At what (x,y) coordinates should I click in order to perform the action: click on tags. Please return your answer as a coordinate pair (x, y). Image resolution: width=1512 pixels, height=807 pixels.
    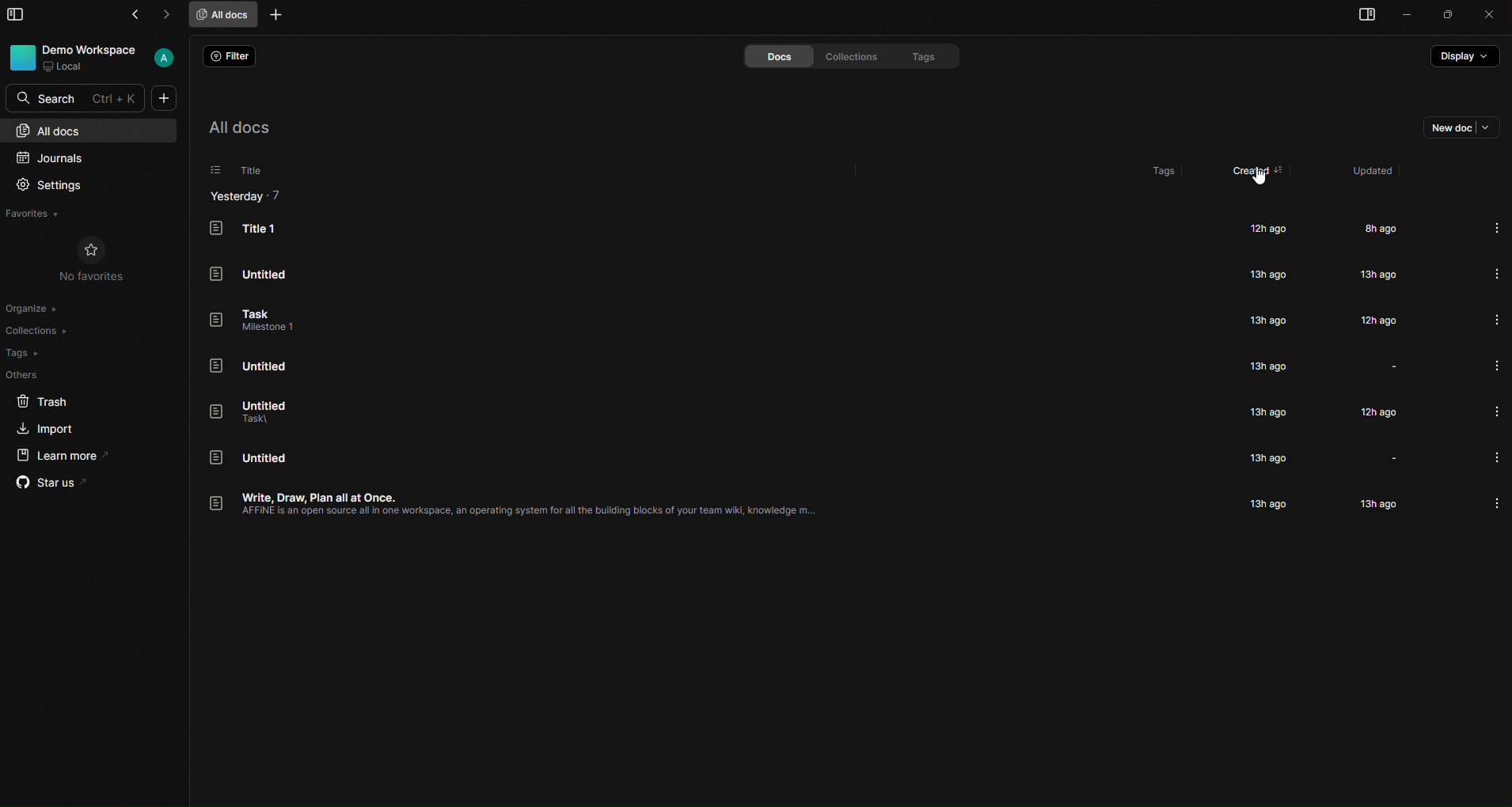
    Looking at the image, I should click on (28, 353).